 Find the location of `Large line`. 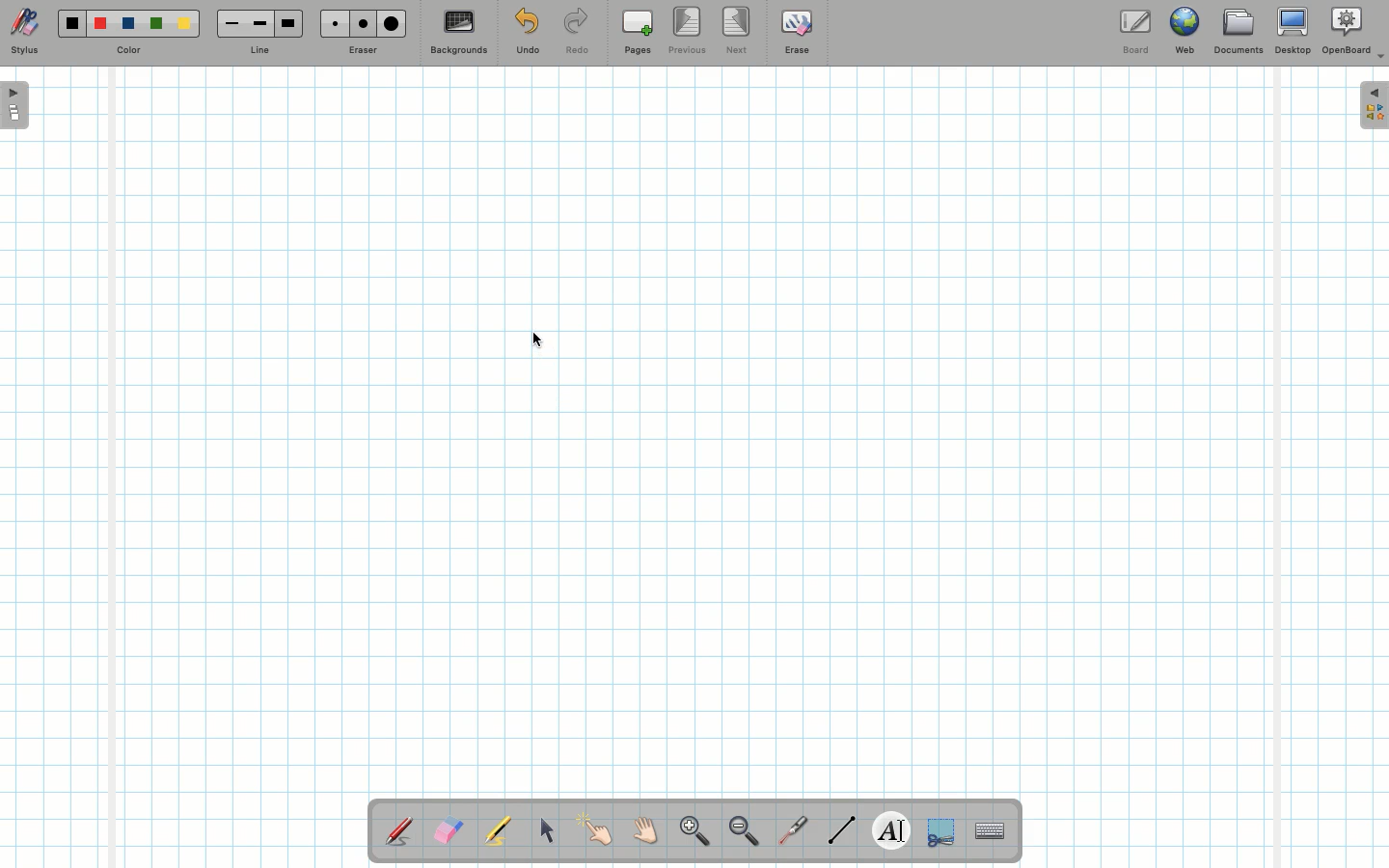

Large line is located at coordinates (289, 23).